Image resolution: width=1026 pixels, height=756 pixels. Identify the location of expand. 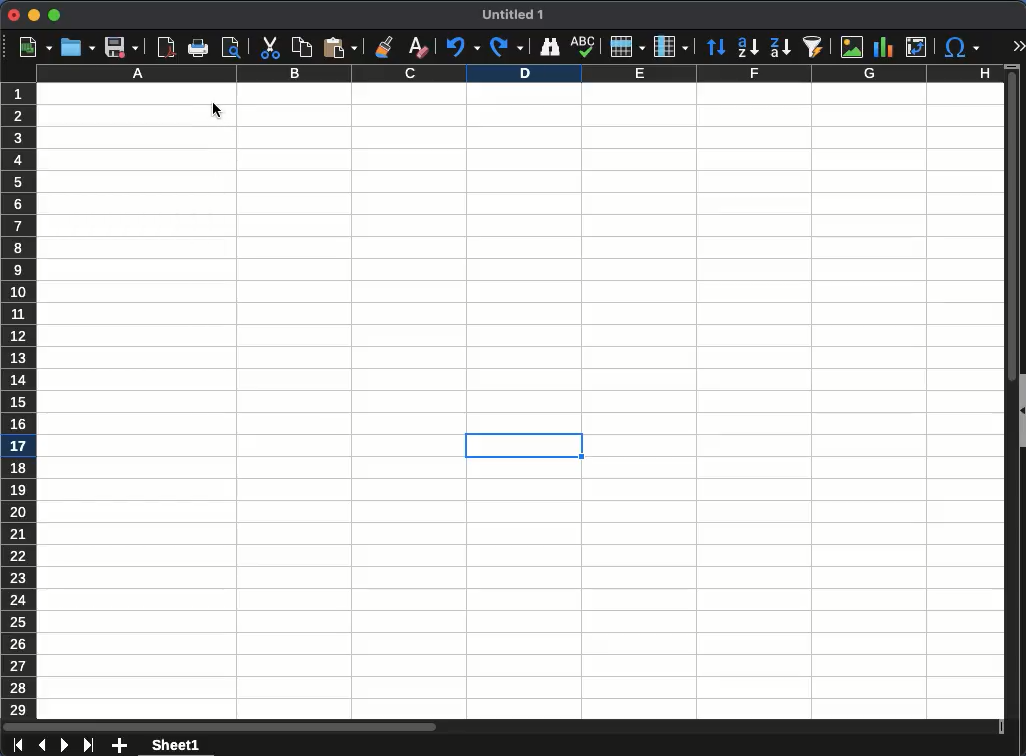
(1020, 43).